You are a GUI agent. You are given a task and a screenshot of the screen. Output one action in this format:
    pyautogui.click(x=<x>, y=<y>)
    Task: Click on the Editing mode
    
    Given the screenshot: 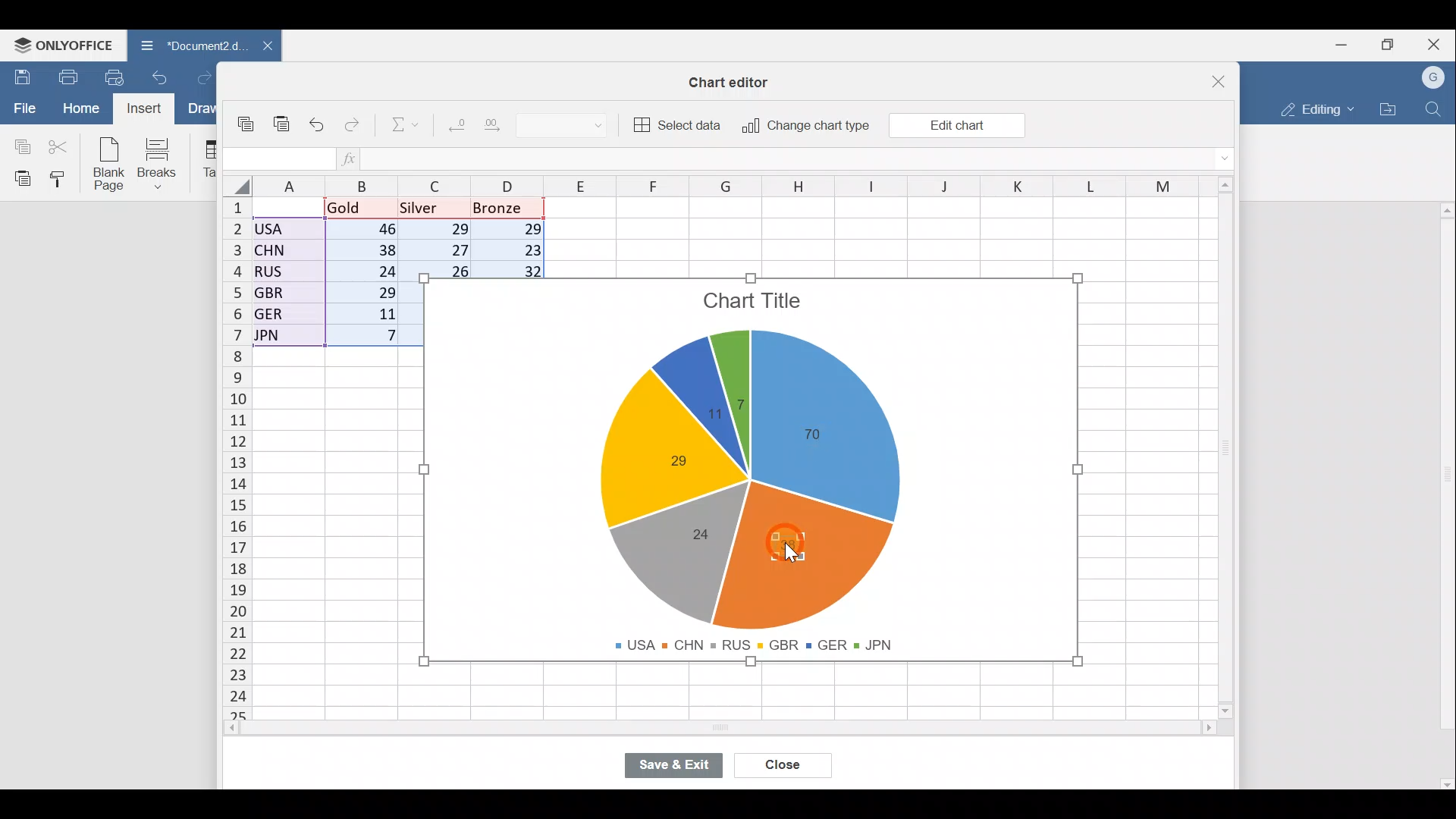 What is the action you would take?
    pyautogui.click(x=1316, y=106)
    